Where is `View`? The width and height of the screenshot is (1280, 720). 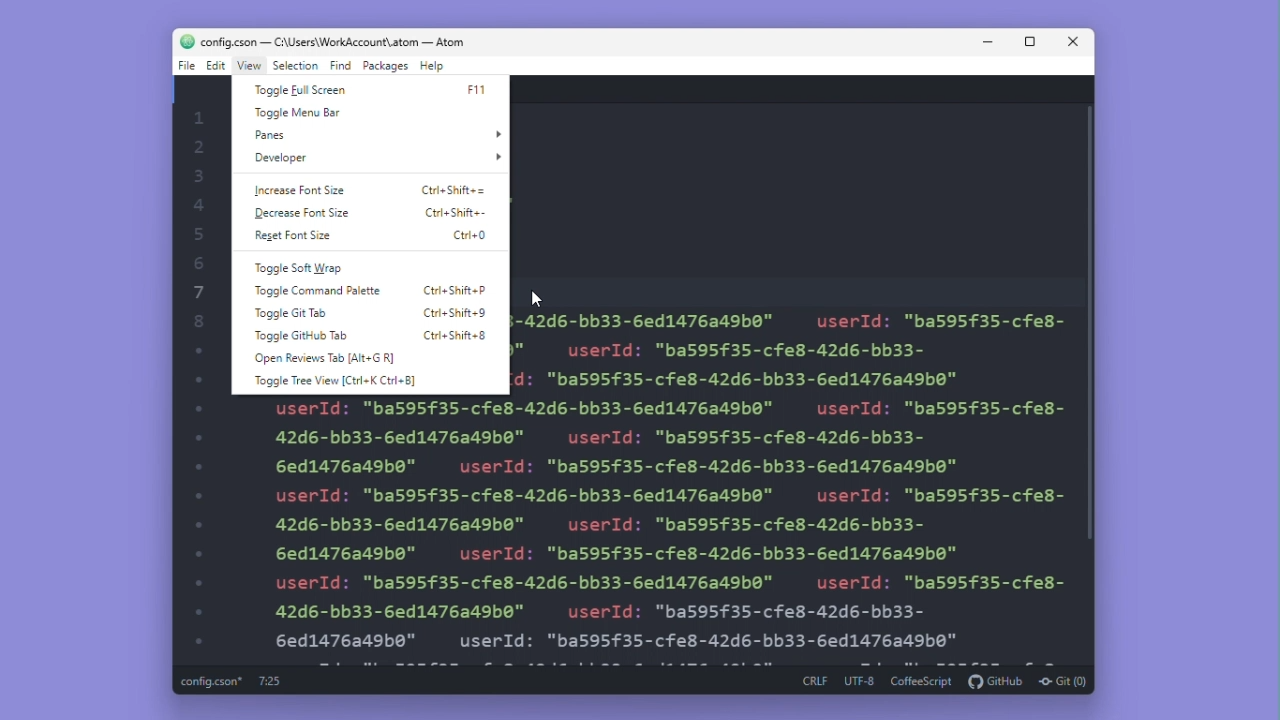
View is located at coordinates (250, 66).